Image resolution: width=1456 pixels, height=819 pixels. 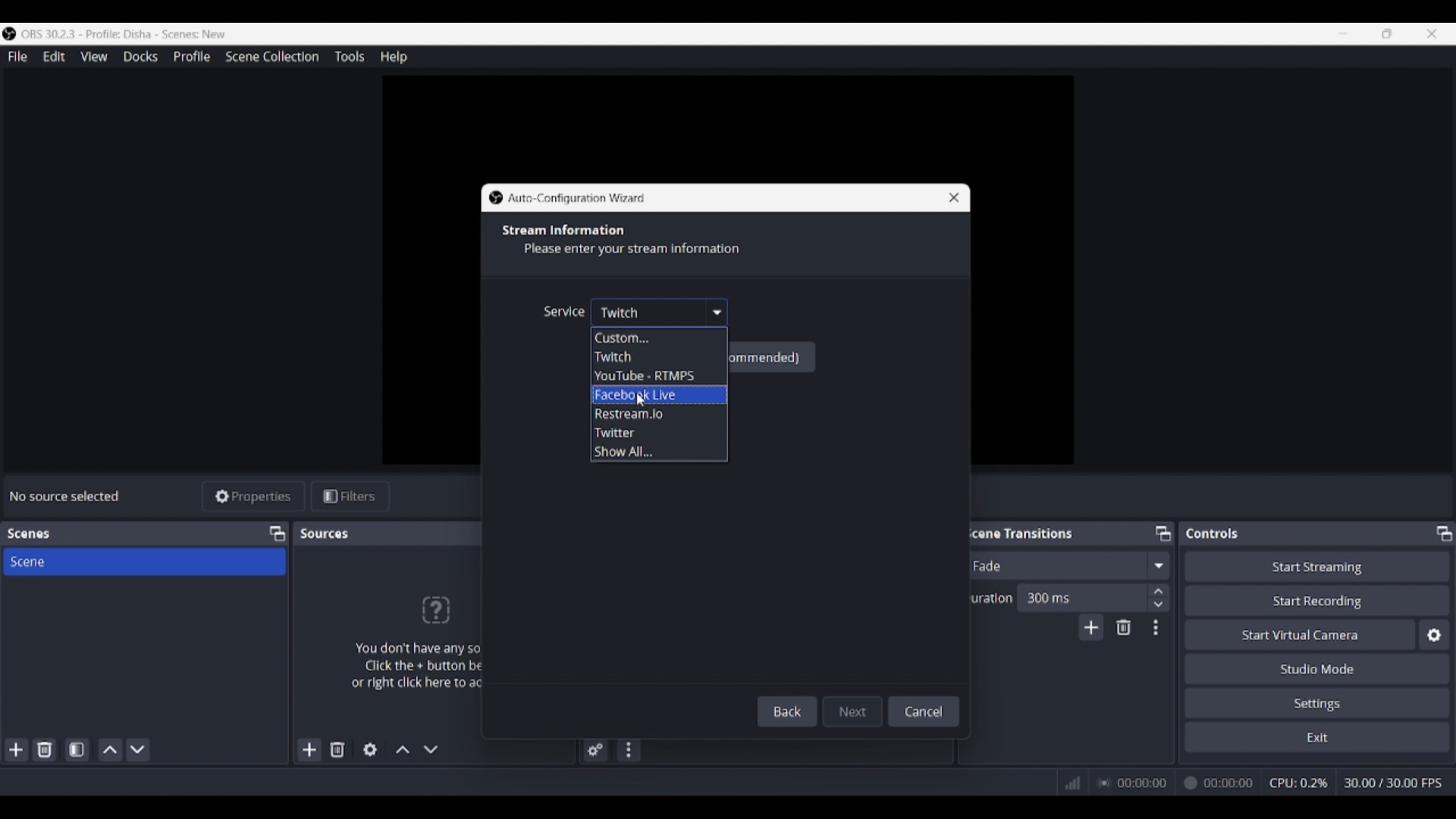 What do you see at coordinates (1090, 627) in the screenshot?
I see `Add transition` at bounding box center [1090, 627].